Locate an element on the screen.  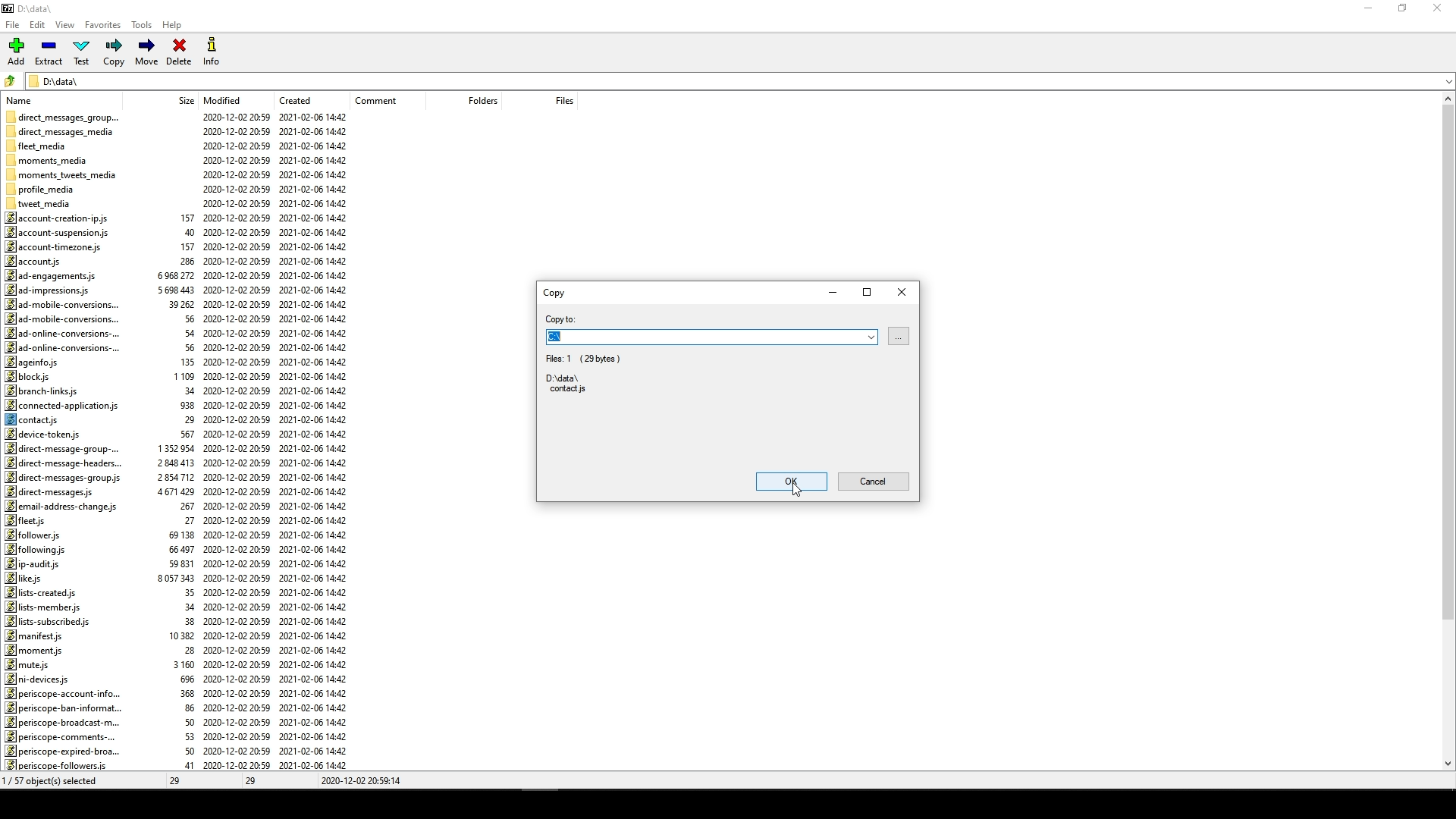
Help is located at coordinates (175, 27).